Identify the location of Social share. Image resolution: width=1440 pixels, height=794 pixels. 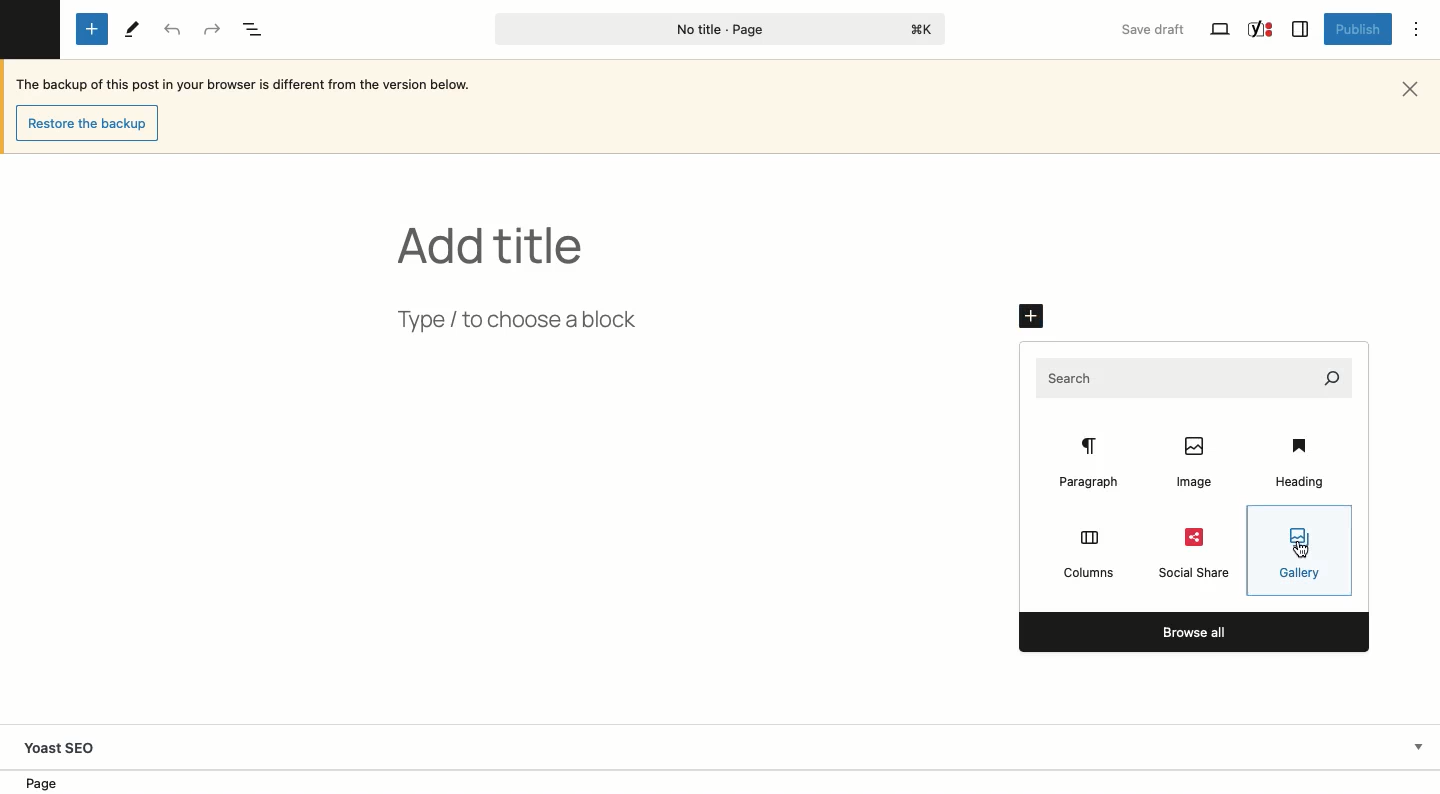
(1190, 552).